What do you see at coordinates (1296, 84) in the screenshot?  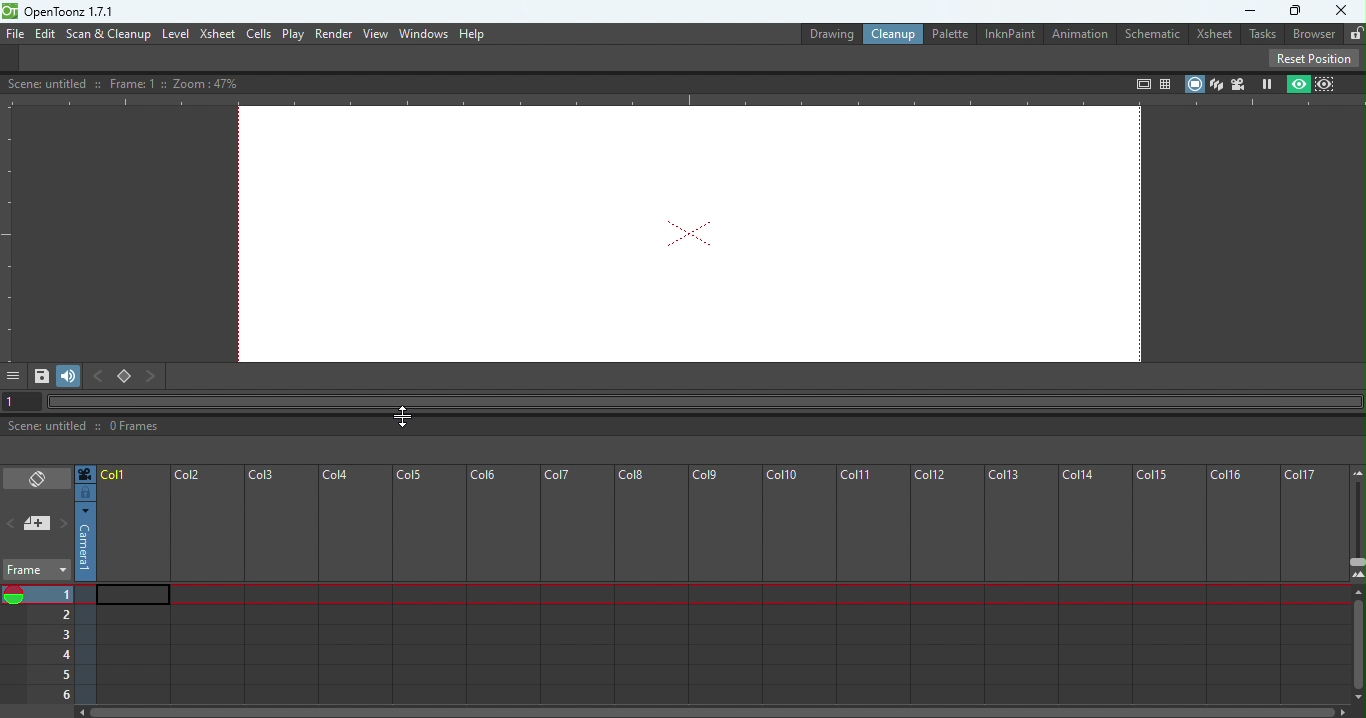 I see `Preview` at bounding box center [1296, 84].